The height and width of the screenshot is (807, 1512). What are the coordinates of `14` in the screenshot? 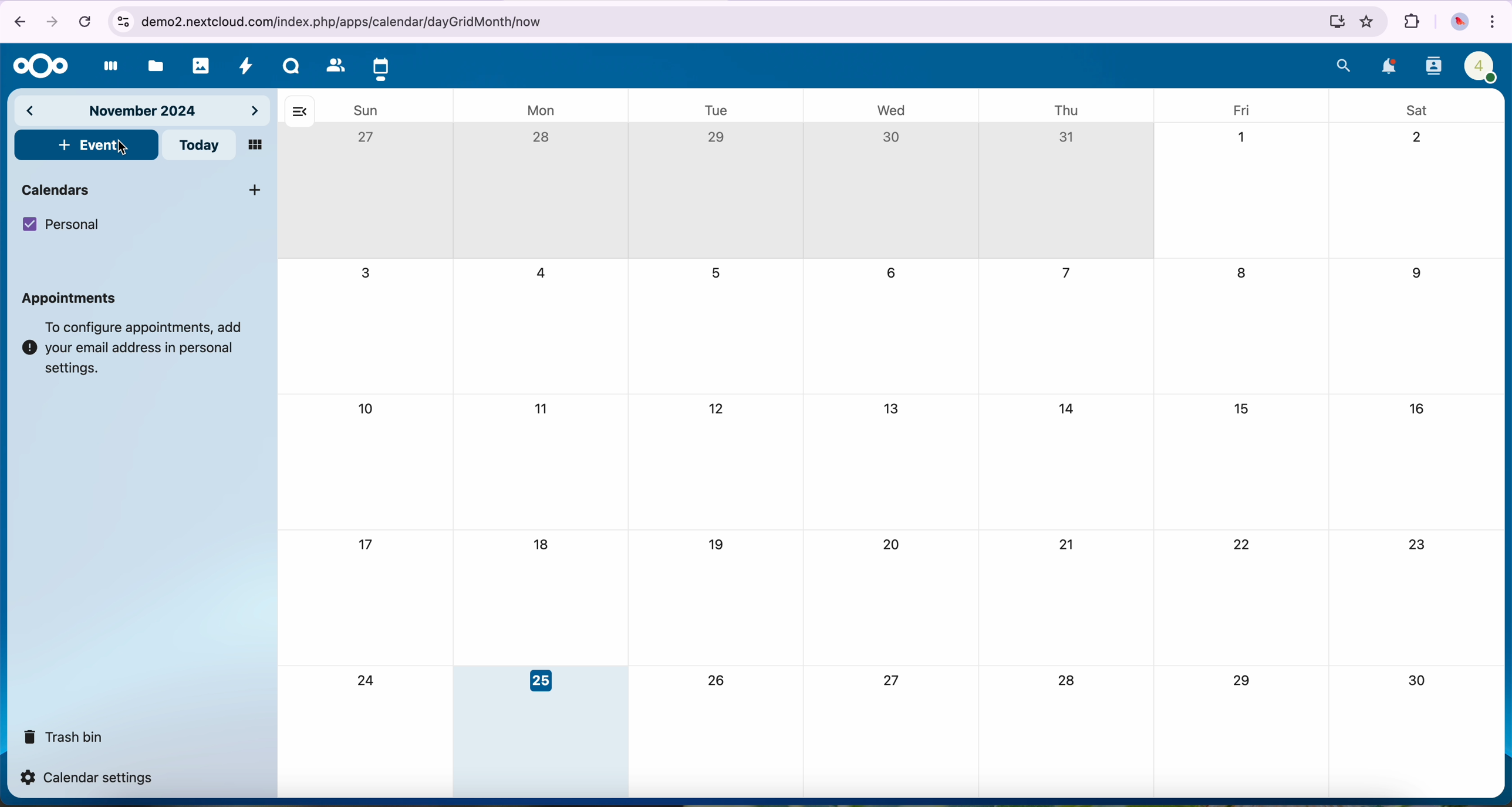 It's located at (1071, 410).